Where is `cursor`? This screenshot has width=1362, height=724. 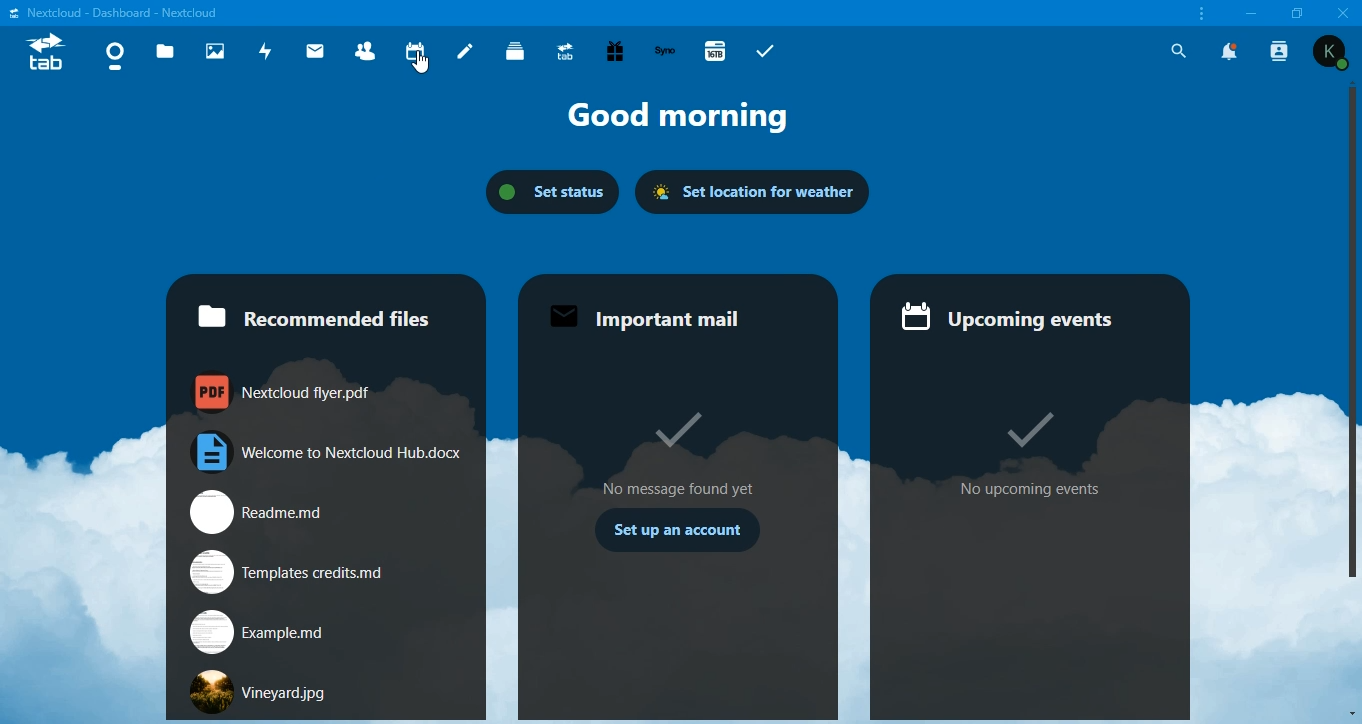
cursor is located at coordinates (419, 63).